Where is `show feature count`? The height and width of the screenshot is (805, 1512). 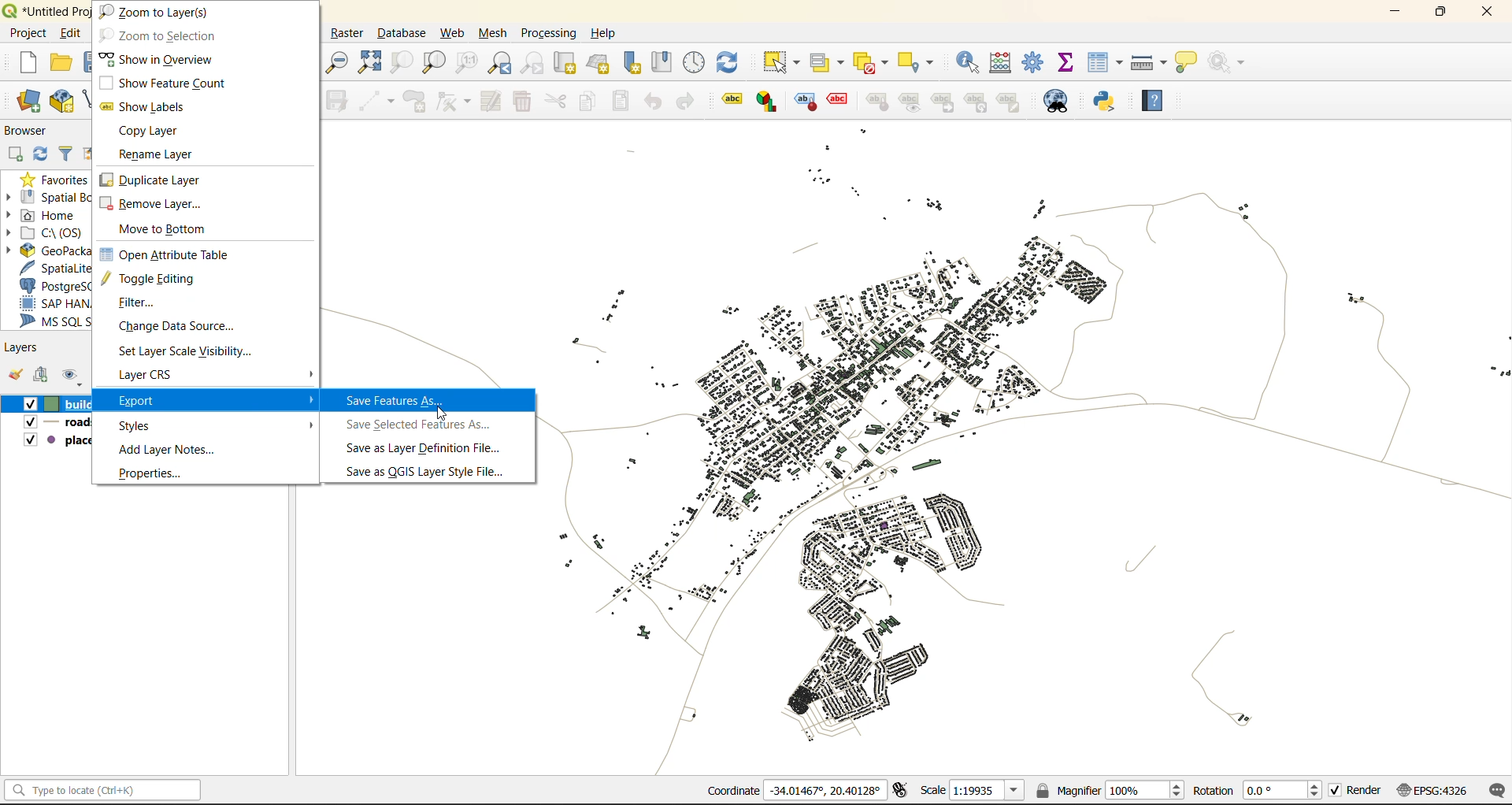 show feature count is located at coordinates (172, 83).